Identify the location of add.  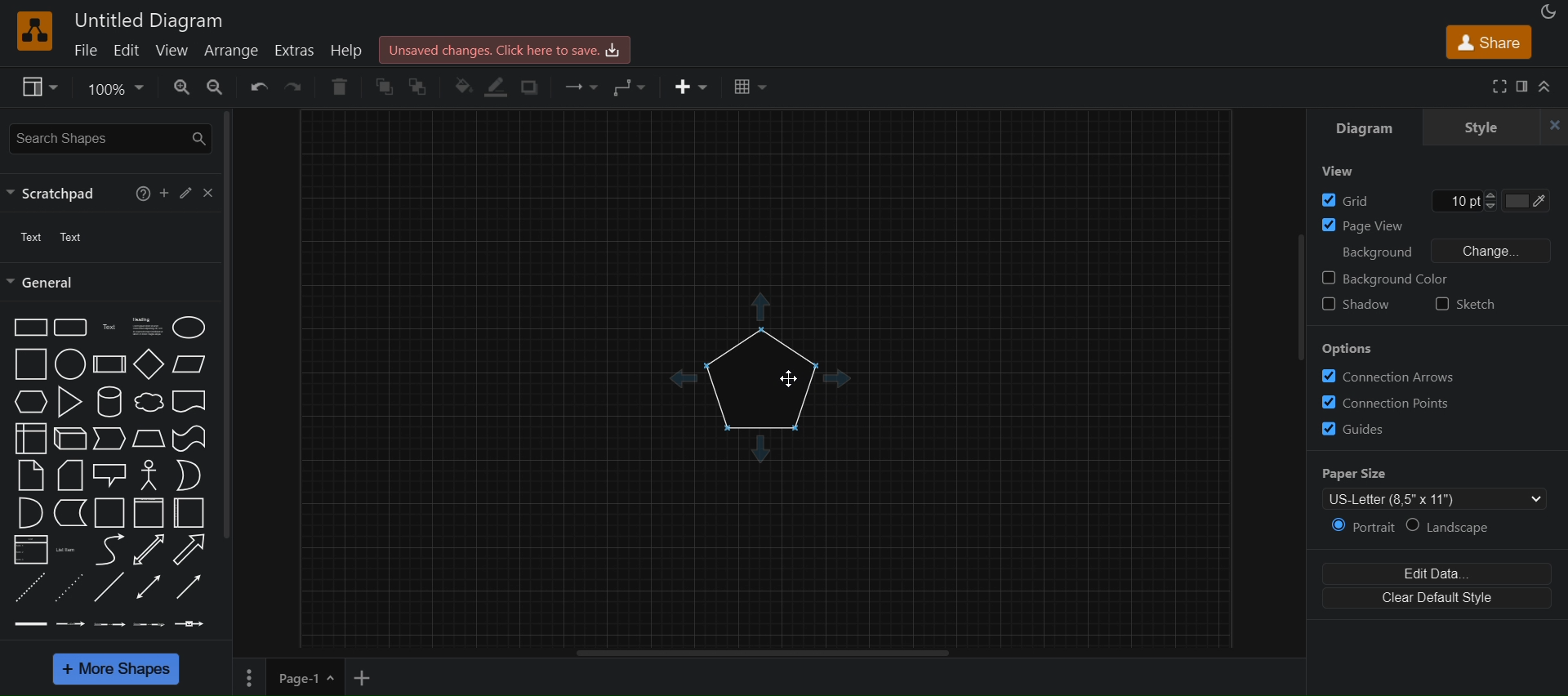
(164, 193).